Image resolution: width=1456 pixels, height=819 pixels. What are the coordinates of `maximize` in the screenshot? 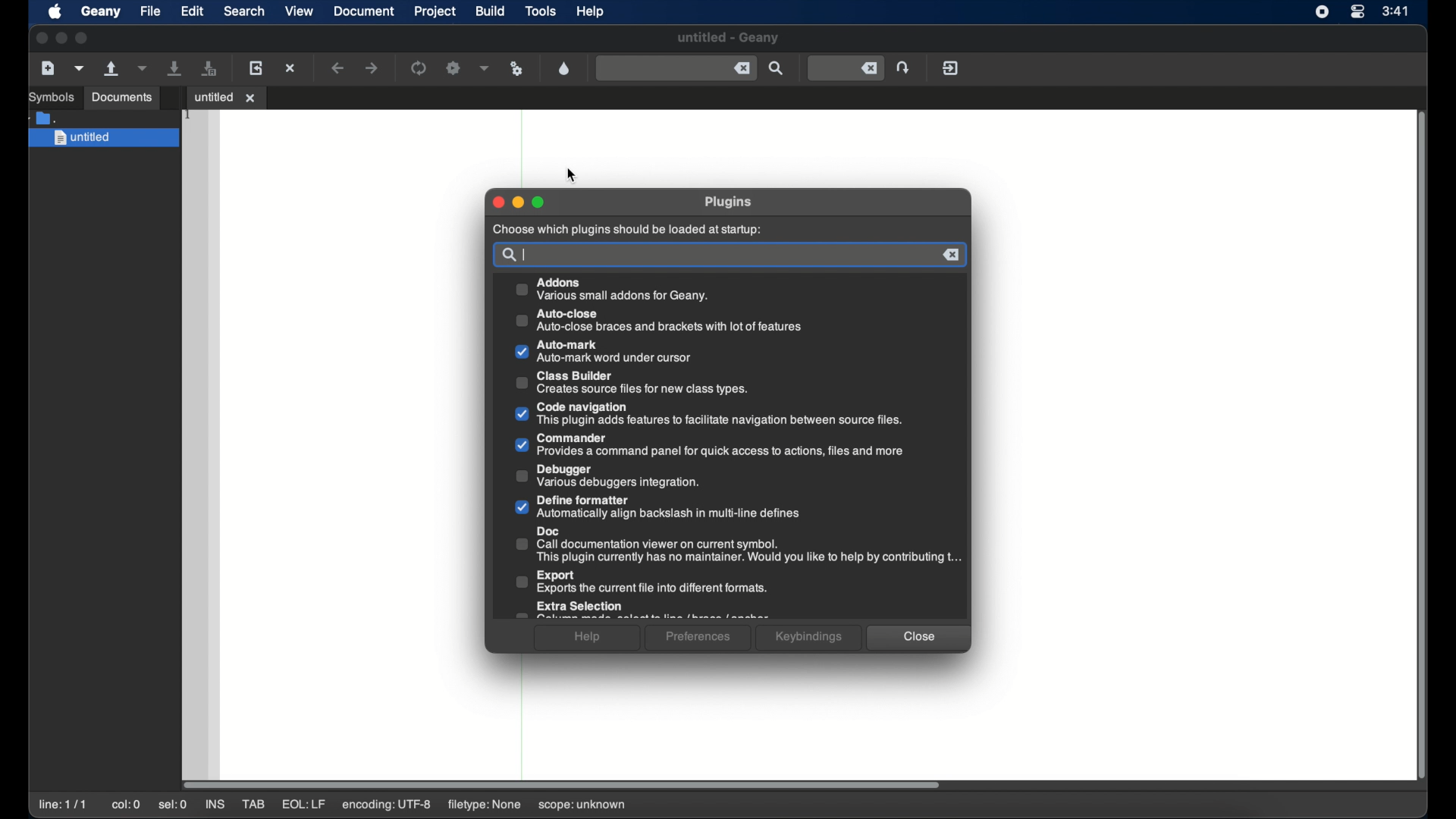 It's located at (538, 202).